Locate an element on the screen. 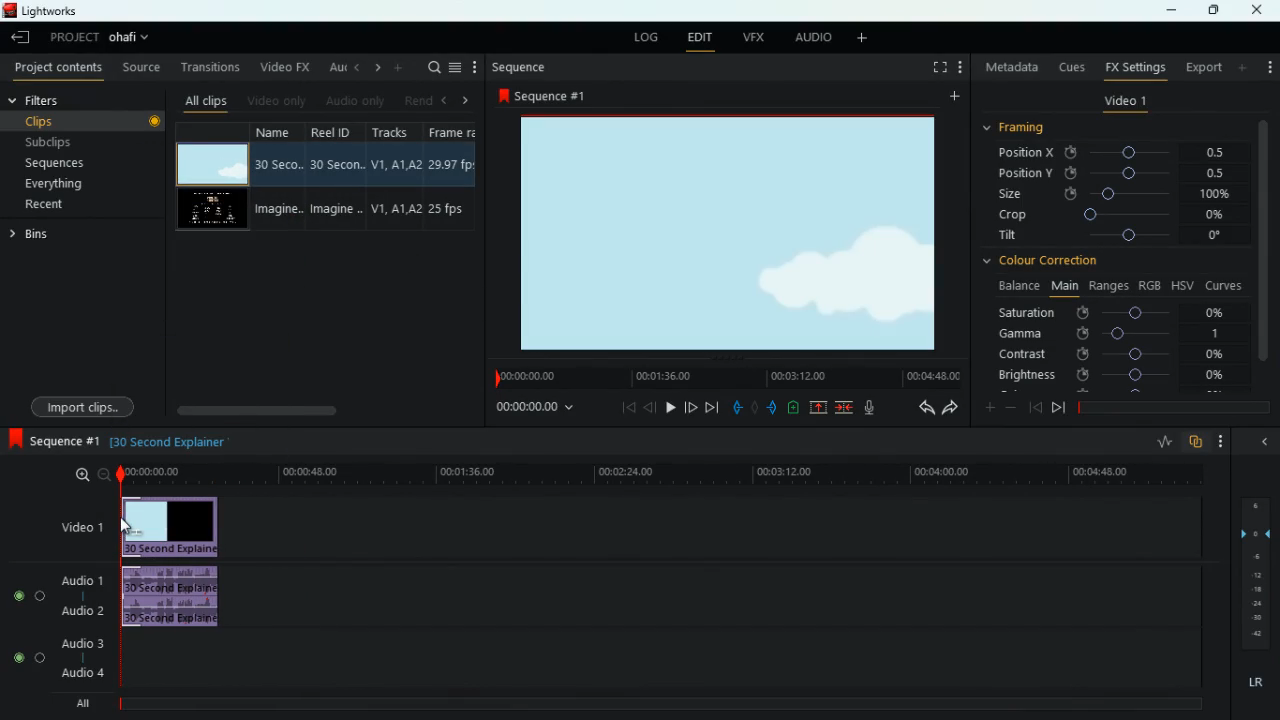 This screenshot has height=720, width=1280. V1, A1, A2 is located at coordinates (396, 210).